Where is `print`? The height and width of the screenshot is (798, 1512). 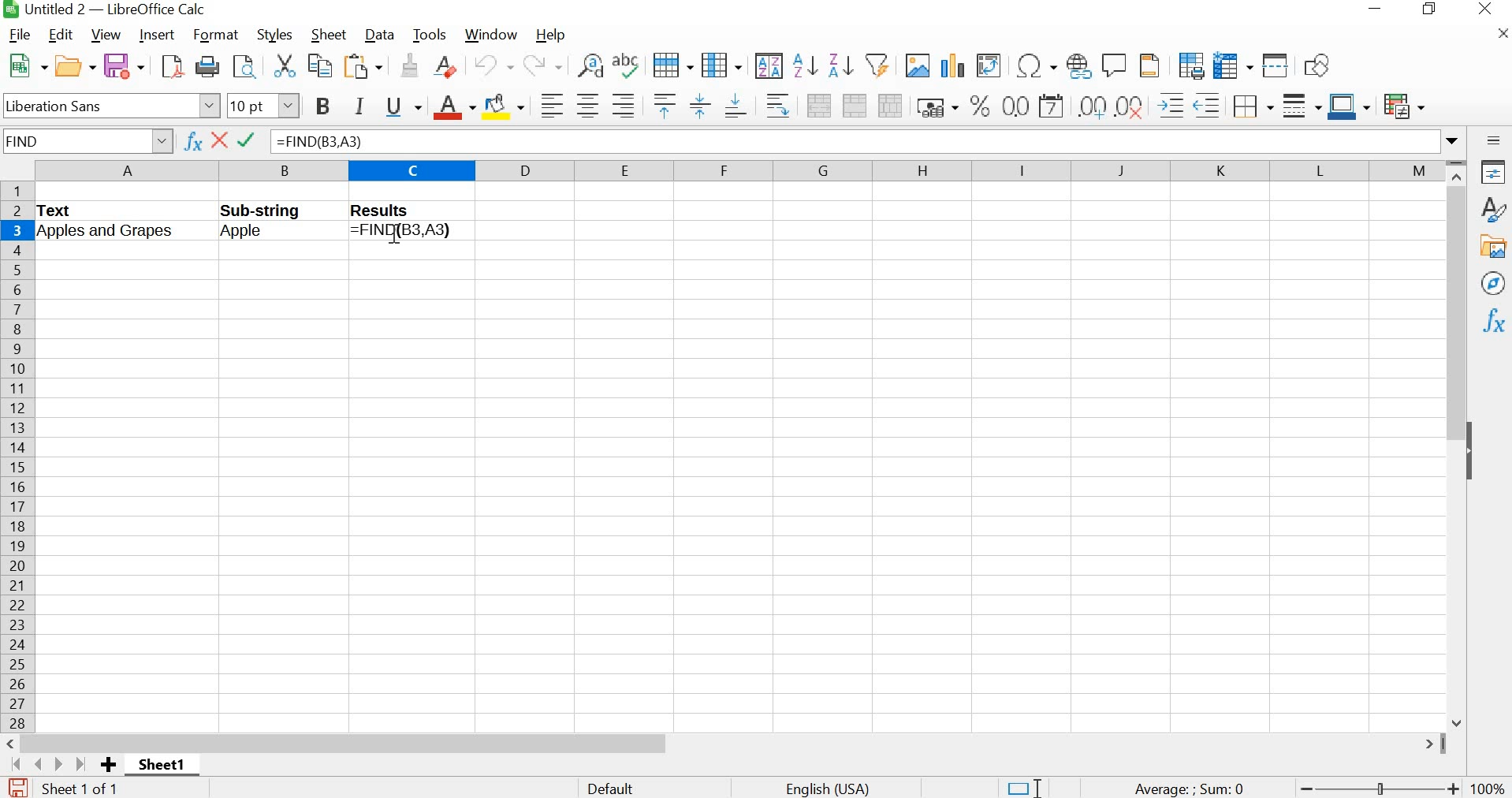 print is located at coordinates (207, 65).